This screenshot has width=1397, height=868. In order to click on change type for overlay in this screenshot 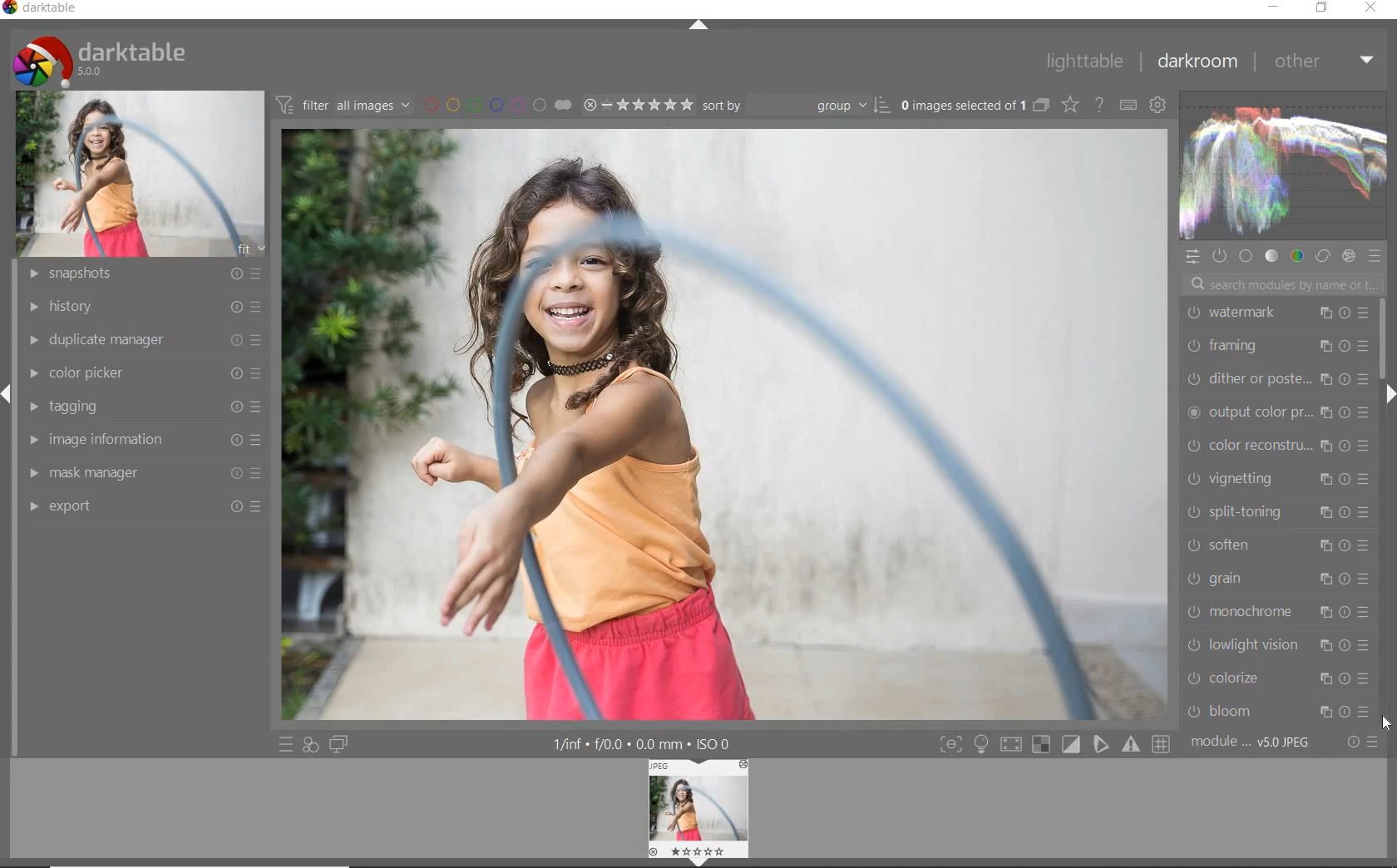, I will do `click(1071, 105)`.